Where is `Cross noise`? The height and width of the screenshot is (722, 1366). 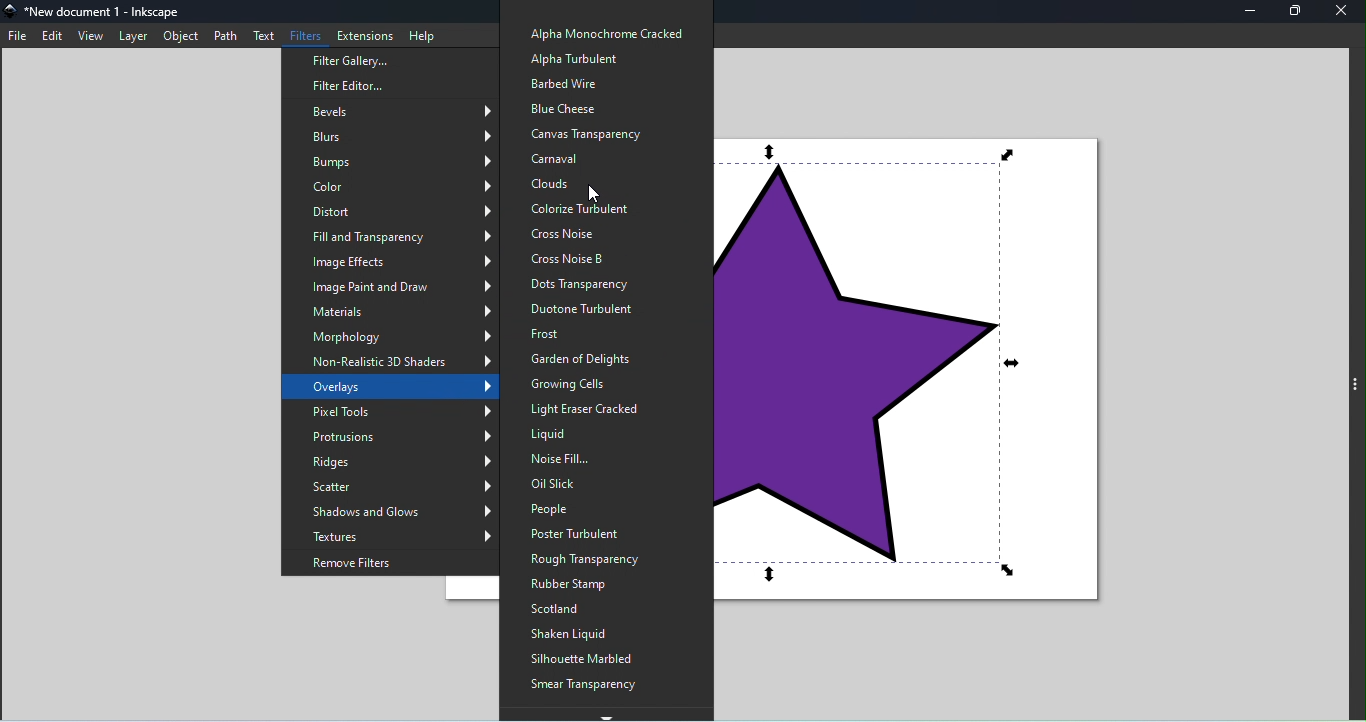 Cross noise is located at coordinates (596, 233).